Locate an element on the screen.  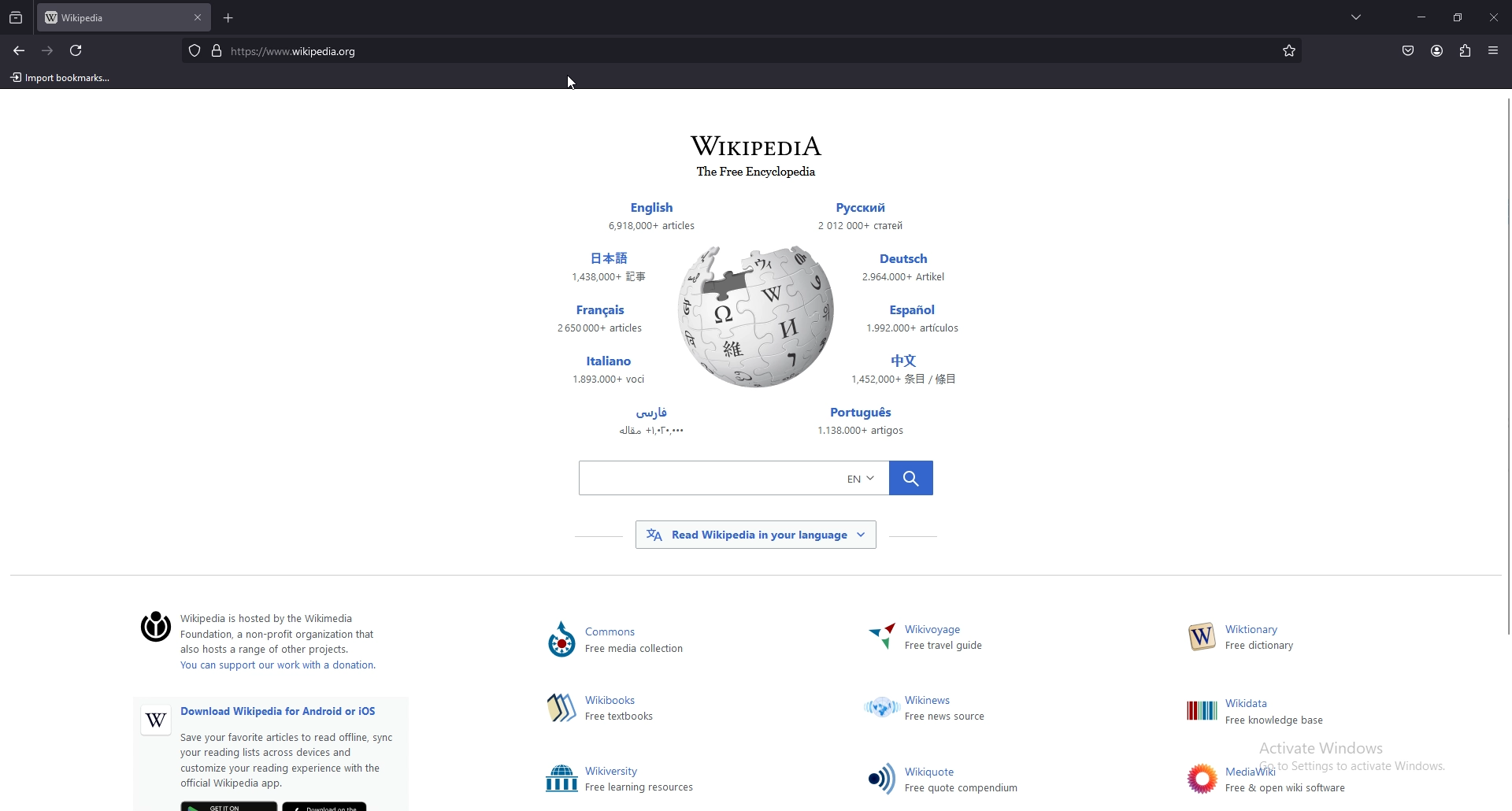
 is located at coordinates (965, 781).